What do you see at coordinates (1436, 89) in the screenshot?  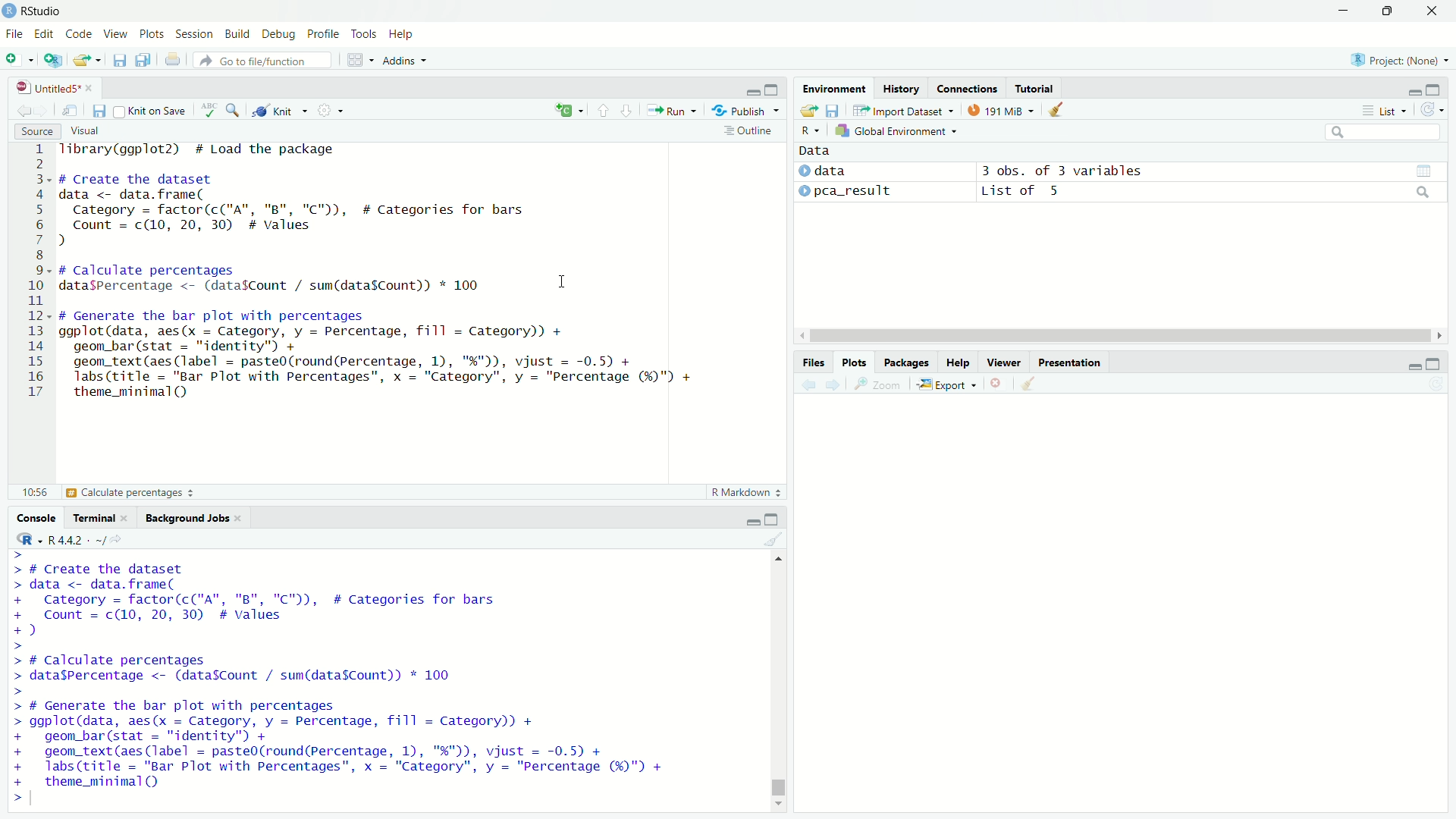 I see `maximize` at bounding box center [1436, 89].